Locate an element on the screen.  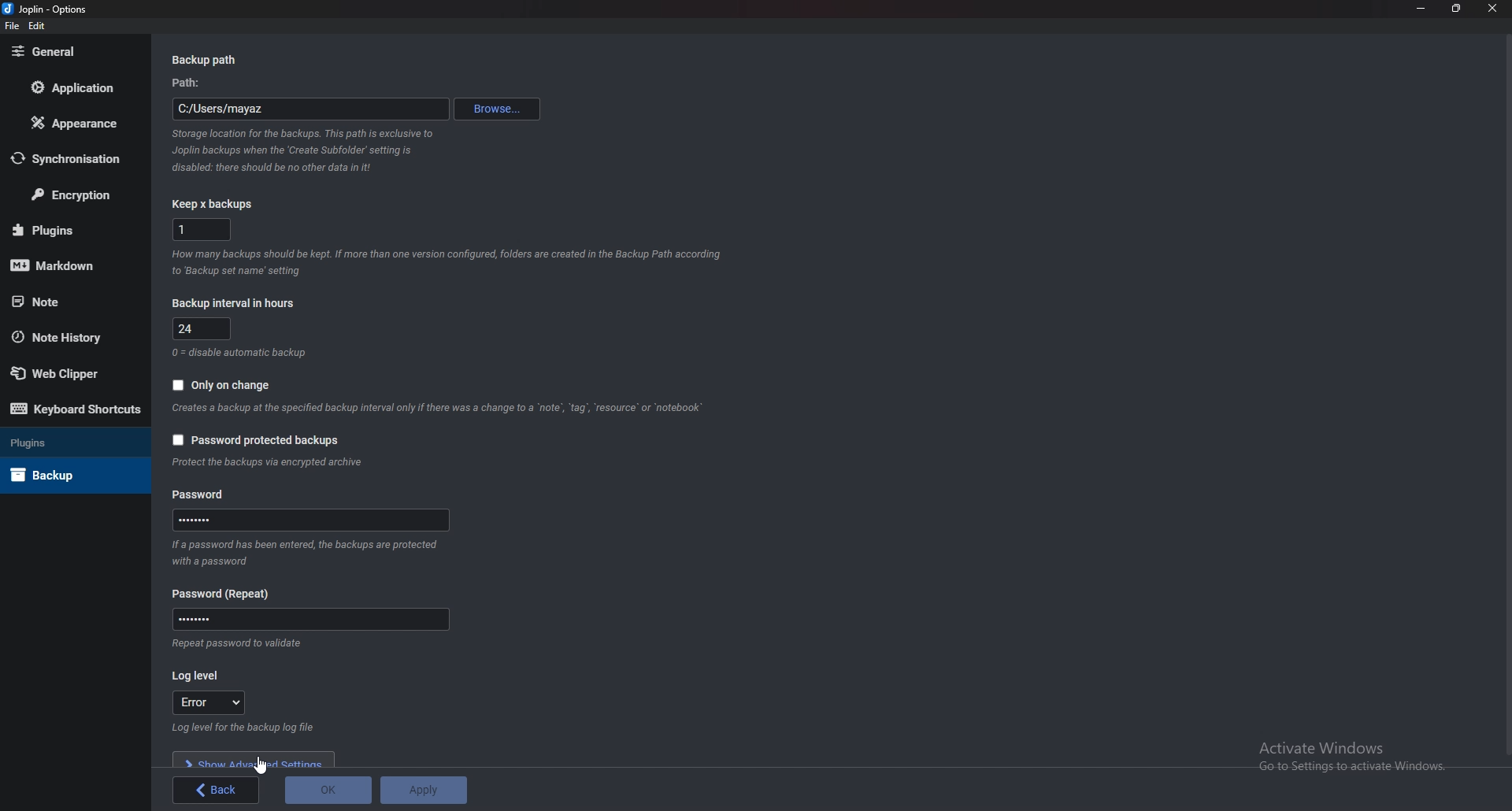
Back up is located at coordinates (65, 475).